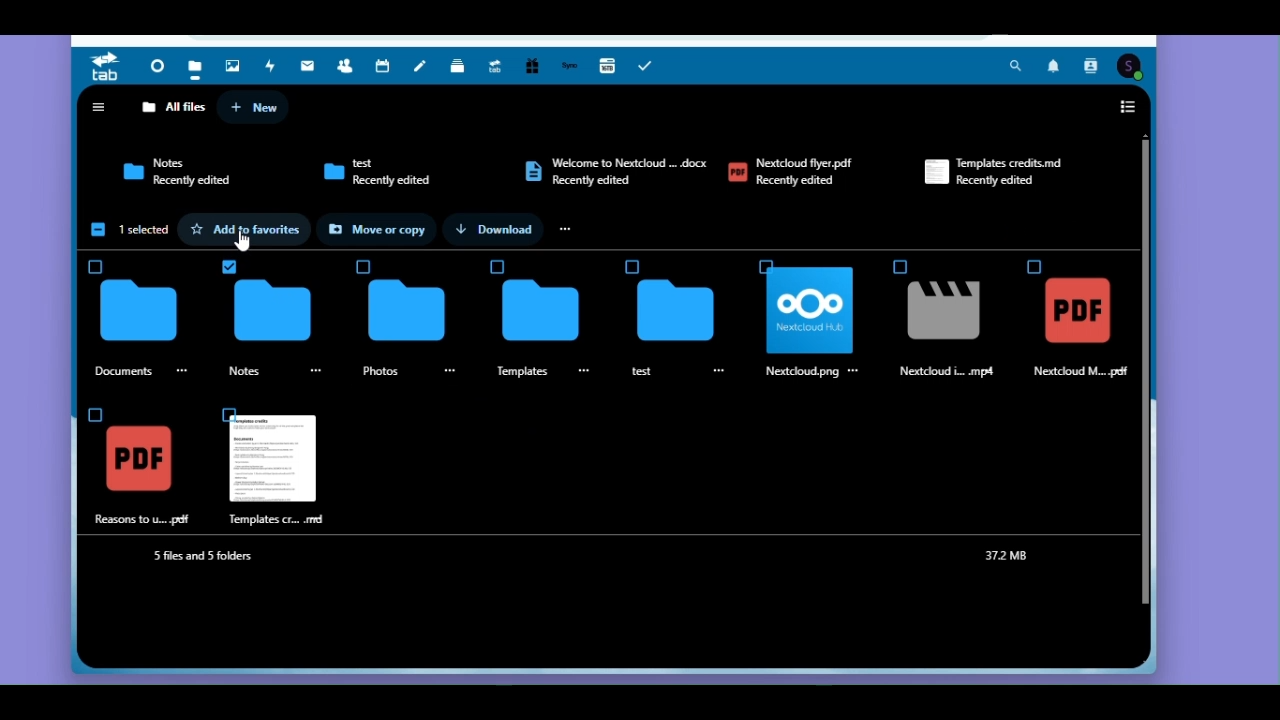 The image size is (1280, 720). Describe the element at coordinates (109, 67) in the screenshot. I see `Tab` at that location.